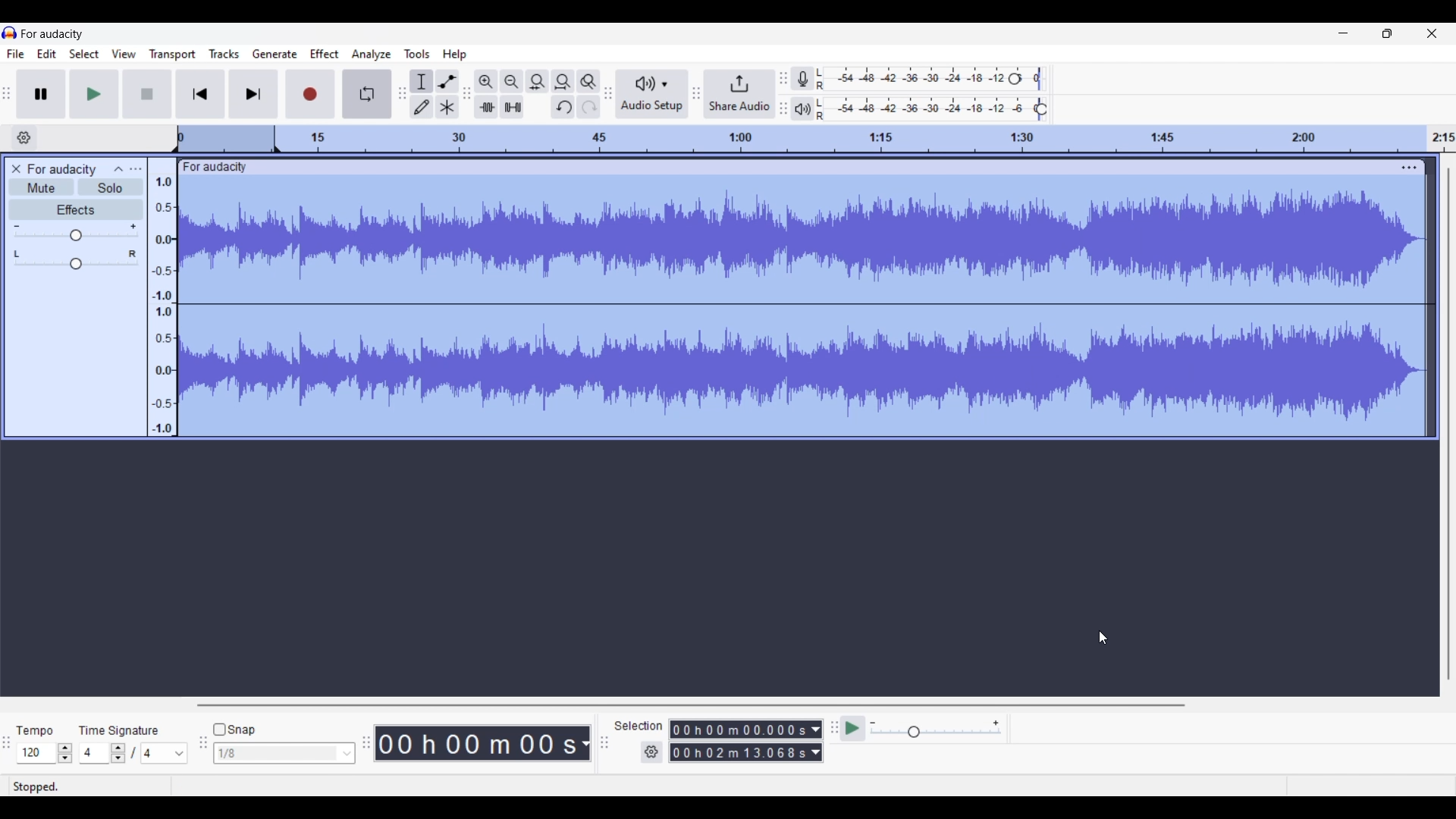  What do you see at coordinates (478, 744) in the screenshot?
I see `Duration of recorded audio` at bounding box center [478, 744].